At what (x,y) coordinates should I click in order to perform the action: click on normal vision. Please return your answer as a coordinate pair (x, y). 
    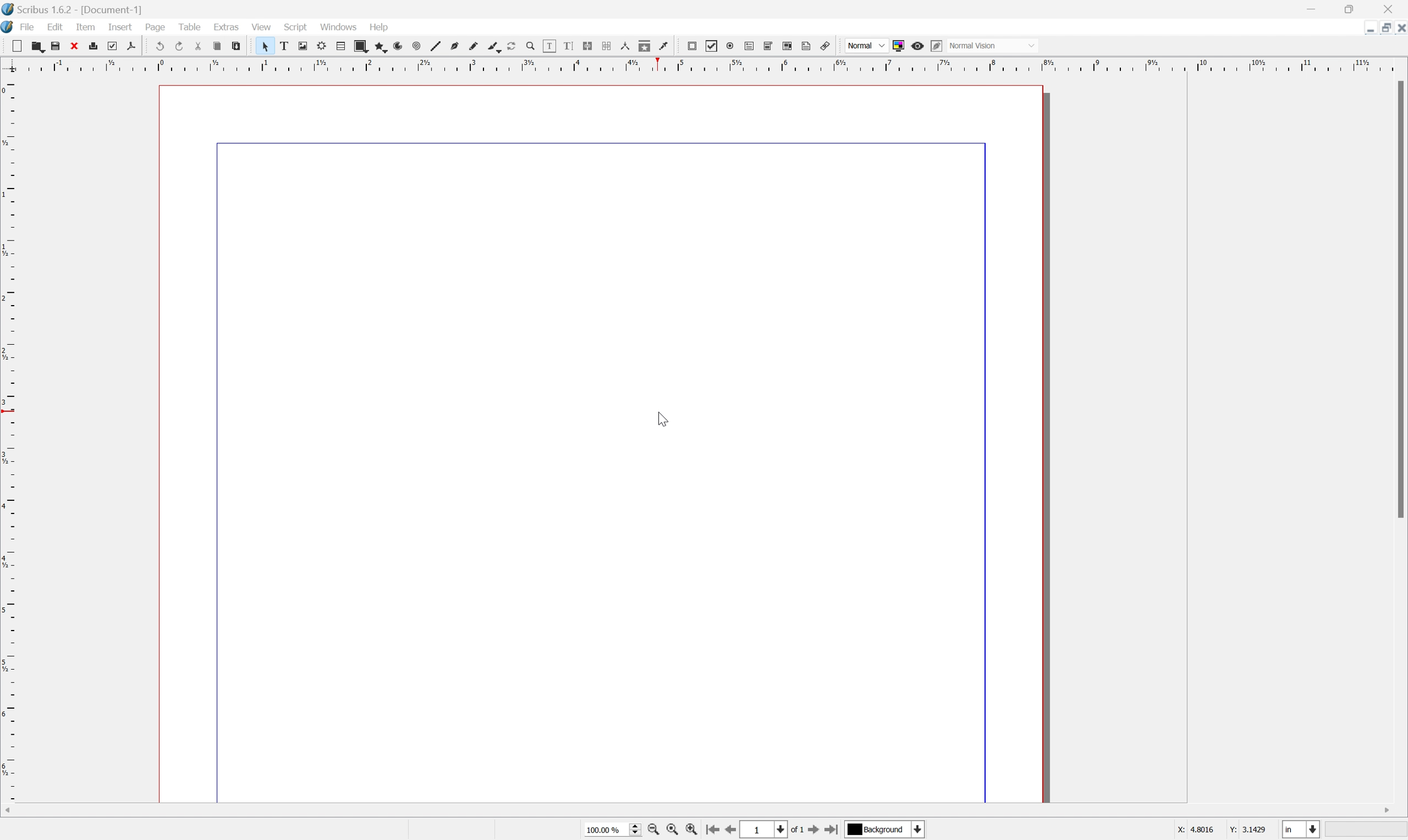
    Looking at the image, I should click on (992, 45).